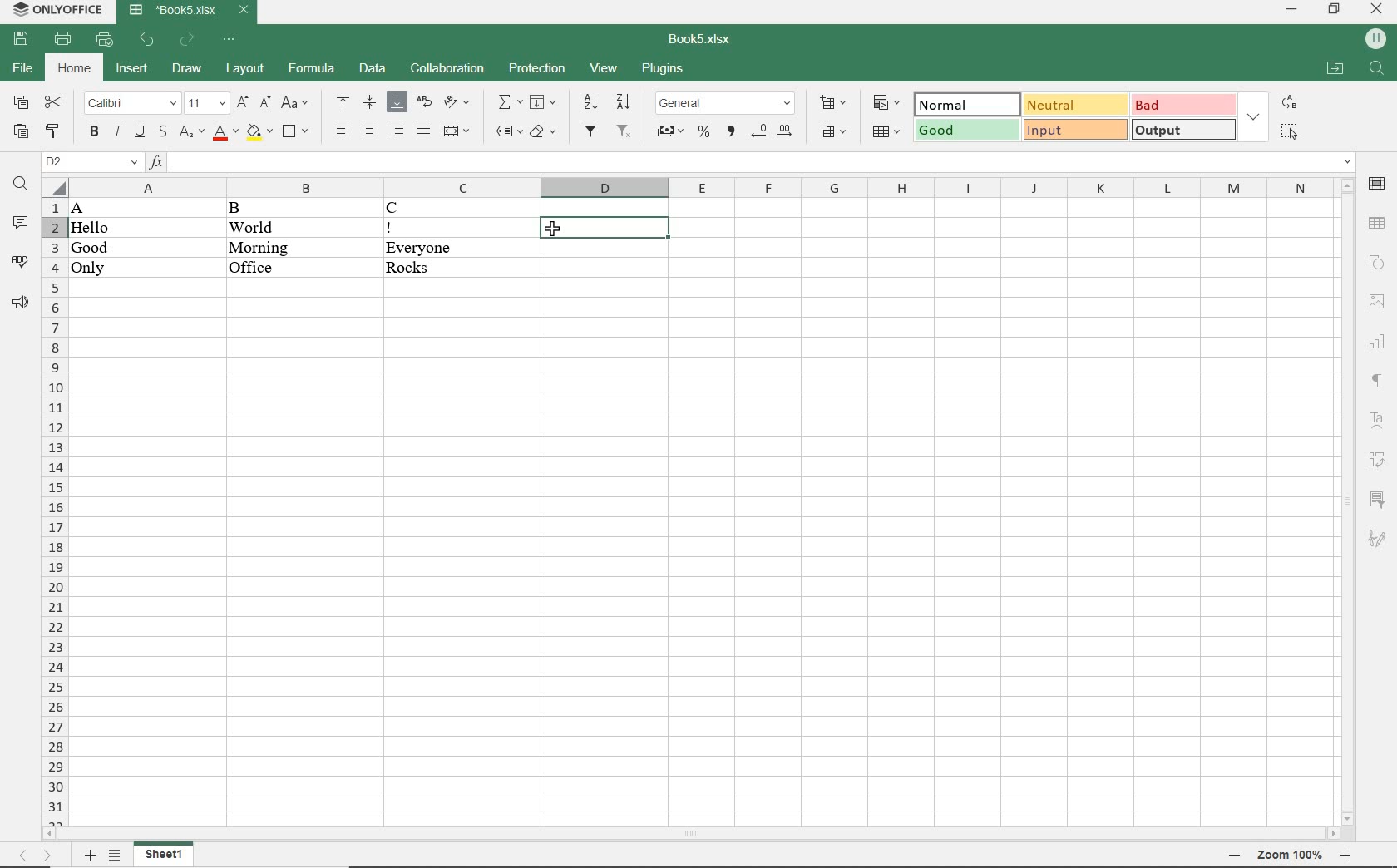 This screenshot has width=1397, height=868. What do you see at coordinates (225, 134) in the screenshot?
I see `font color` at bounding box center [225, 134].